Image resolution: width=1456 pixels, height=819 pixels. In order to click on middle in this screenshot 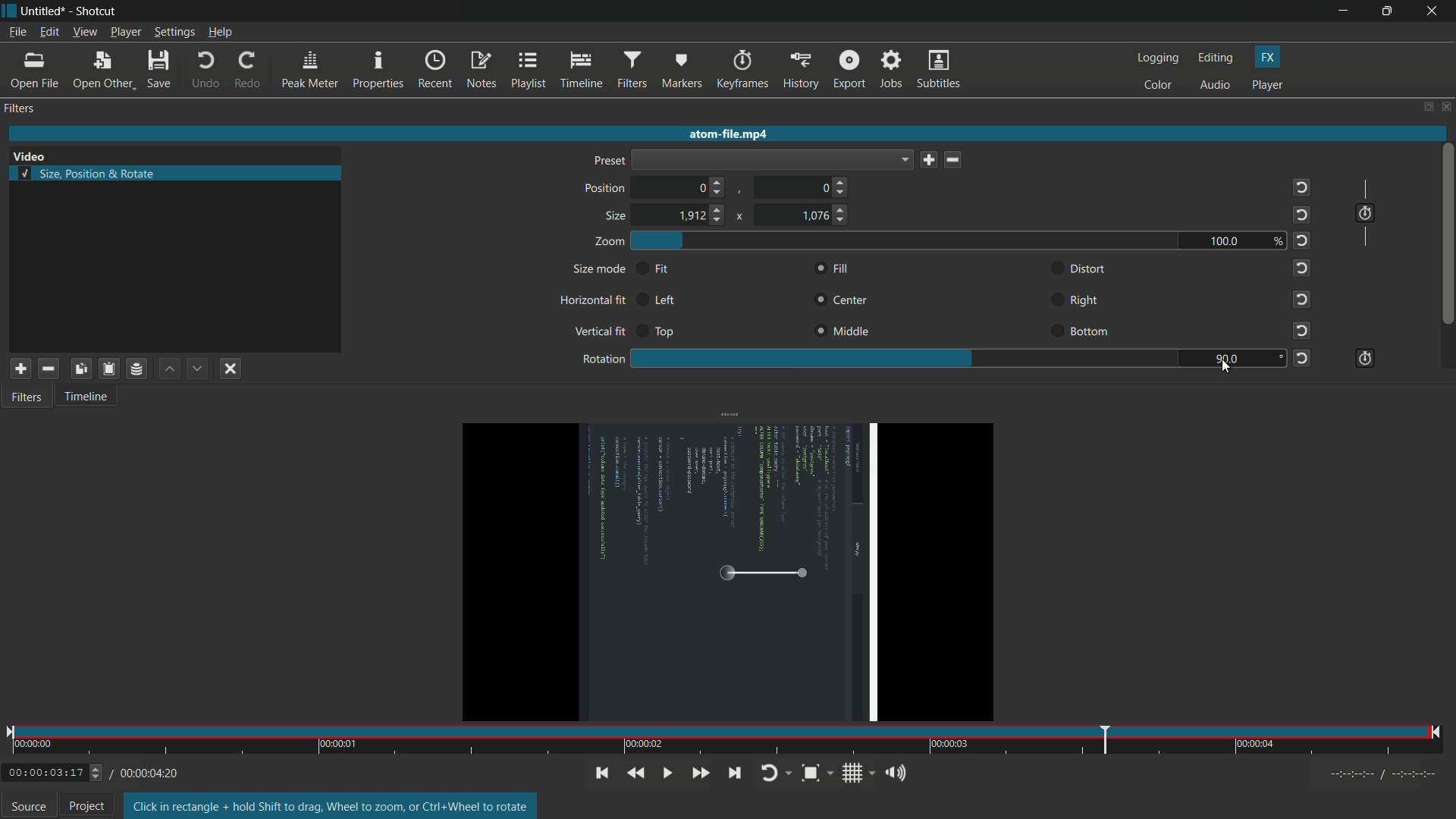, I will do `click(846, 330)`.